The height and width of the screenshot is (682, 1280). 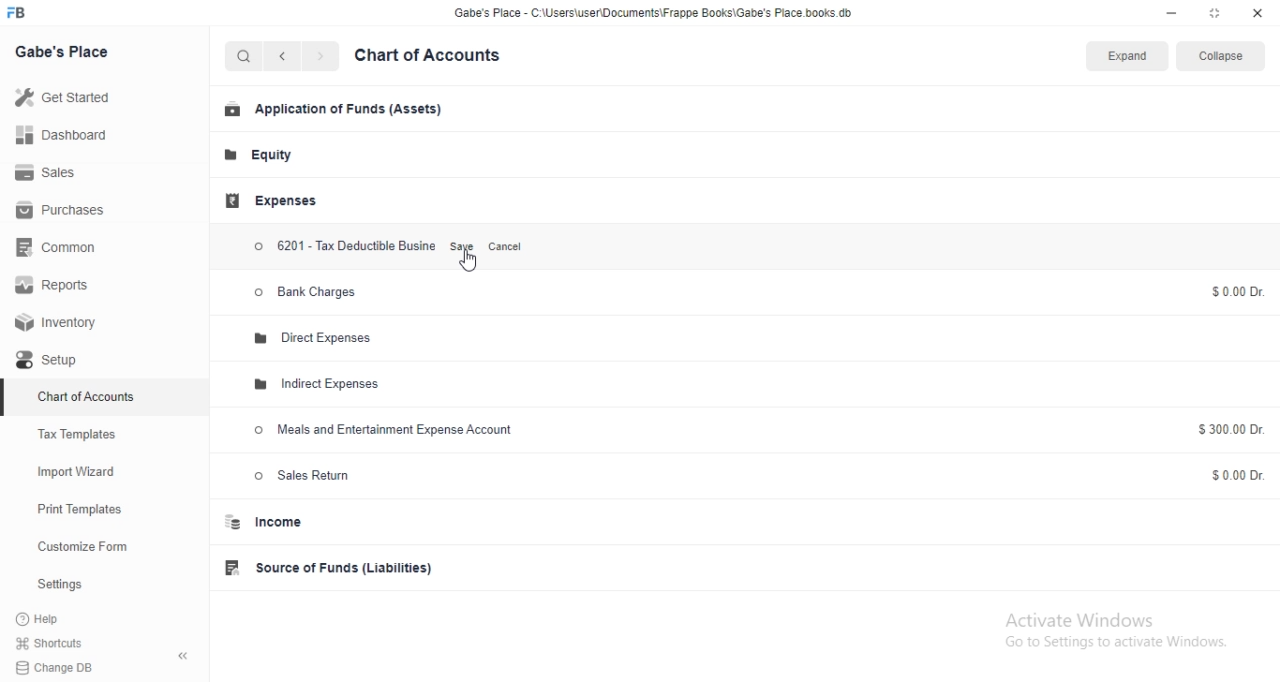 I want to click on Settings, so click(x=63, y=584).